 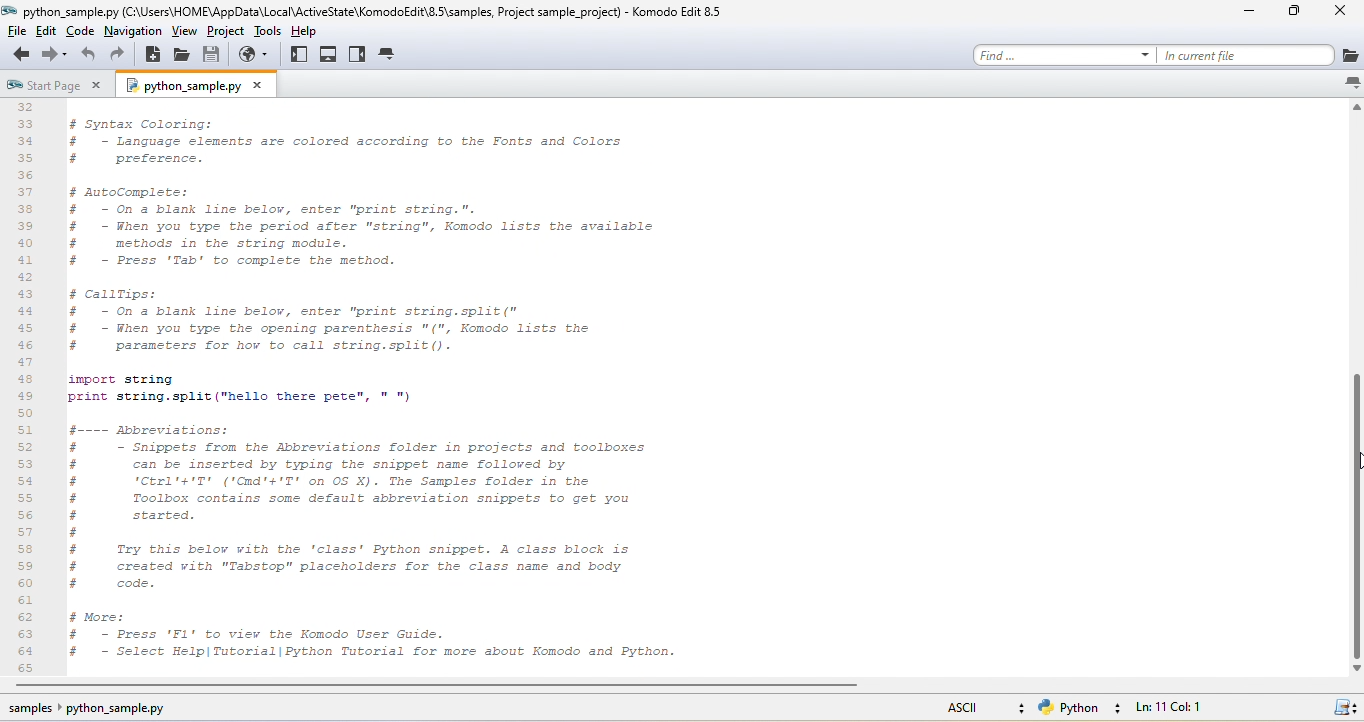 What do you see at coordinates (132, 32) in the screenshot?
I see `navigation` at bounding box center [132, 32].